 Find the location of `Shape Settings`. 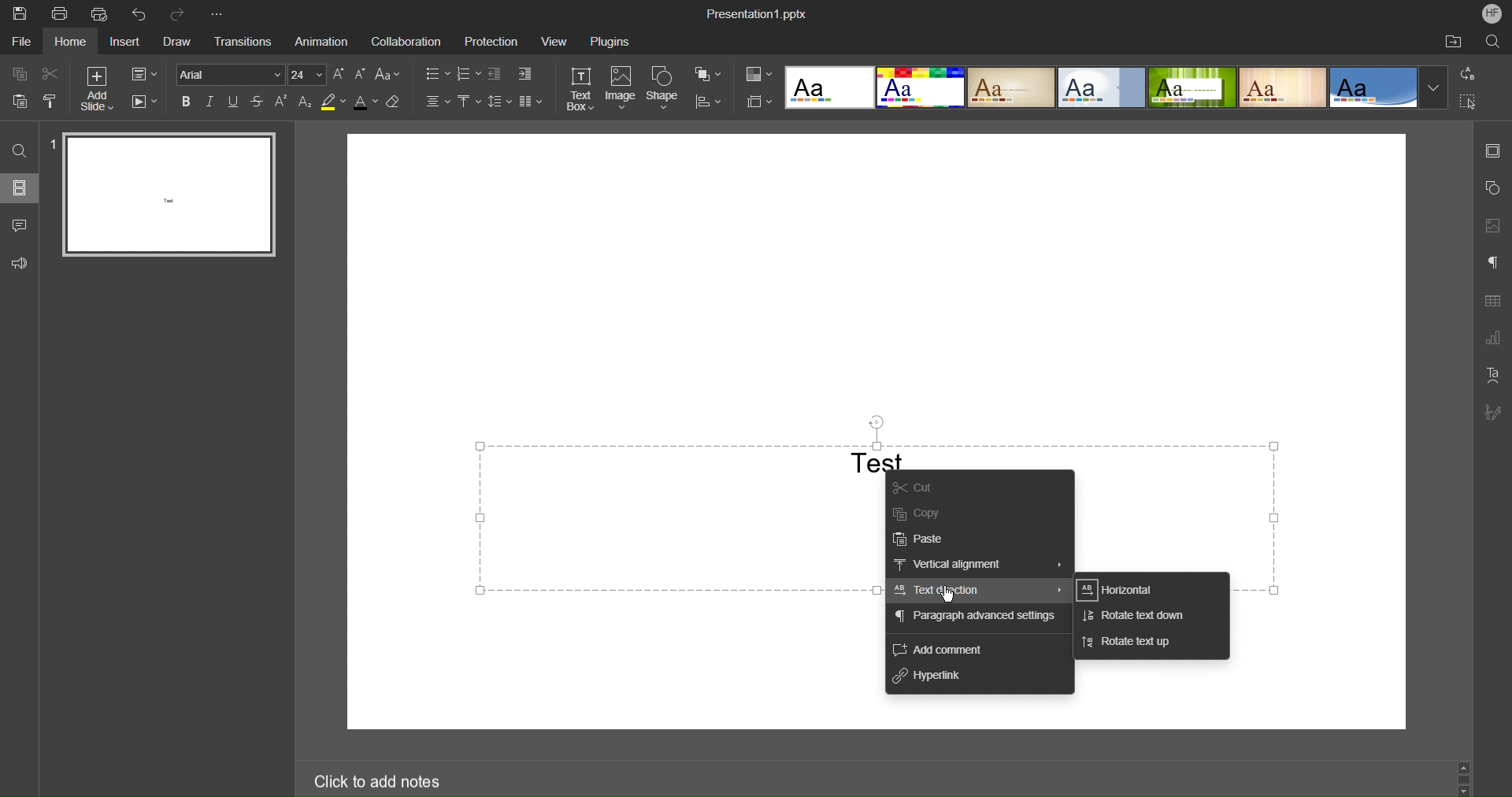

Shape Settings is located at coordinates (1492, 188).